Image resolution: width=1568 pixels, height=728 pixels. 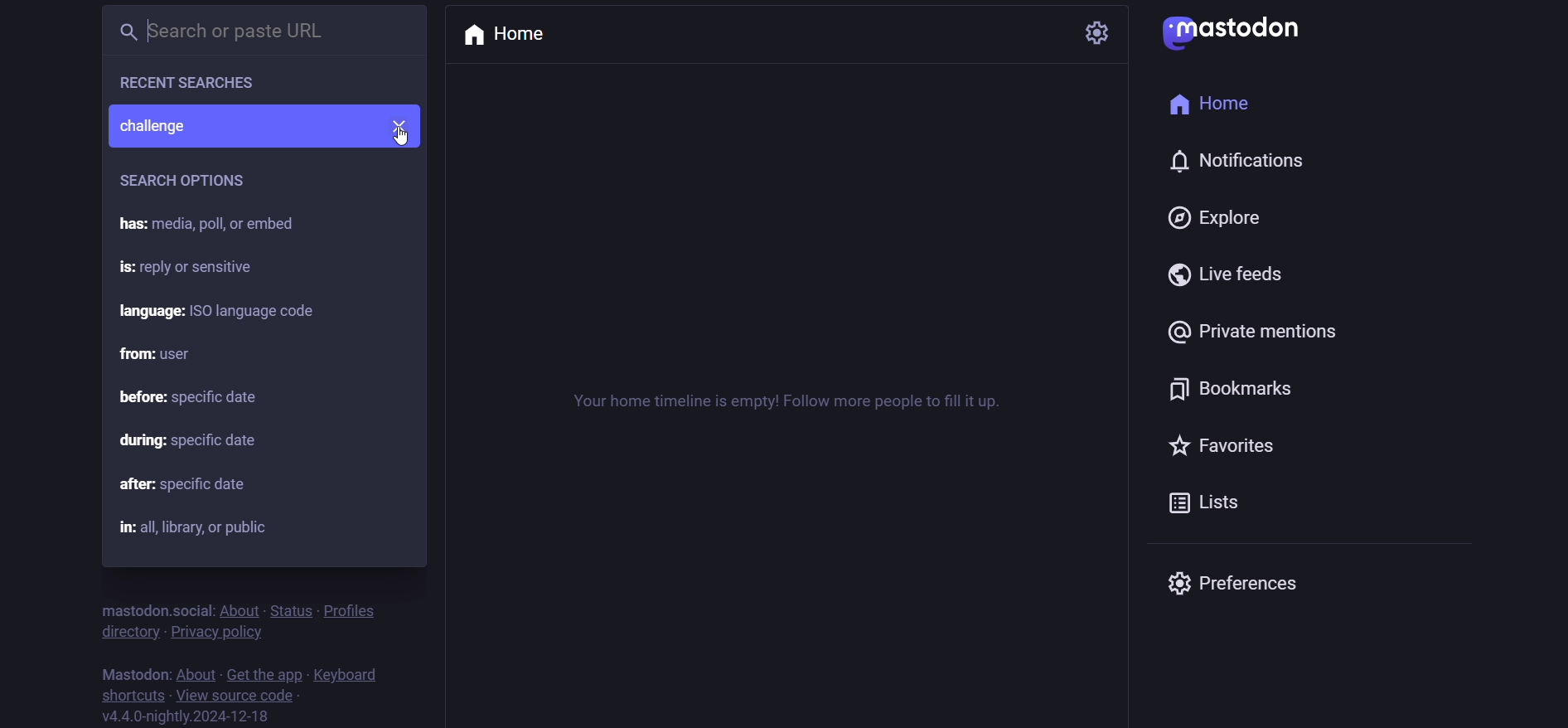 What do you see at coordinates (1237, 33) in the screenshot?
I see `logo` at bounding box center [1237, 33].